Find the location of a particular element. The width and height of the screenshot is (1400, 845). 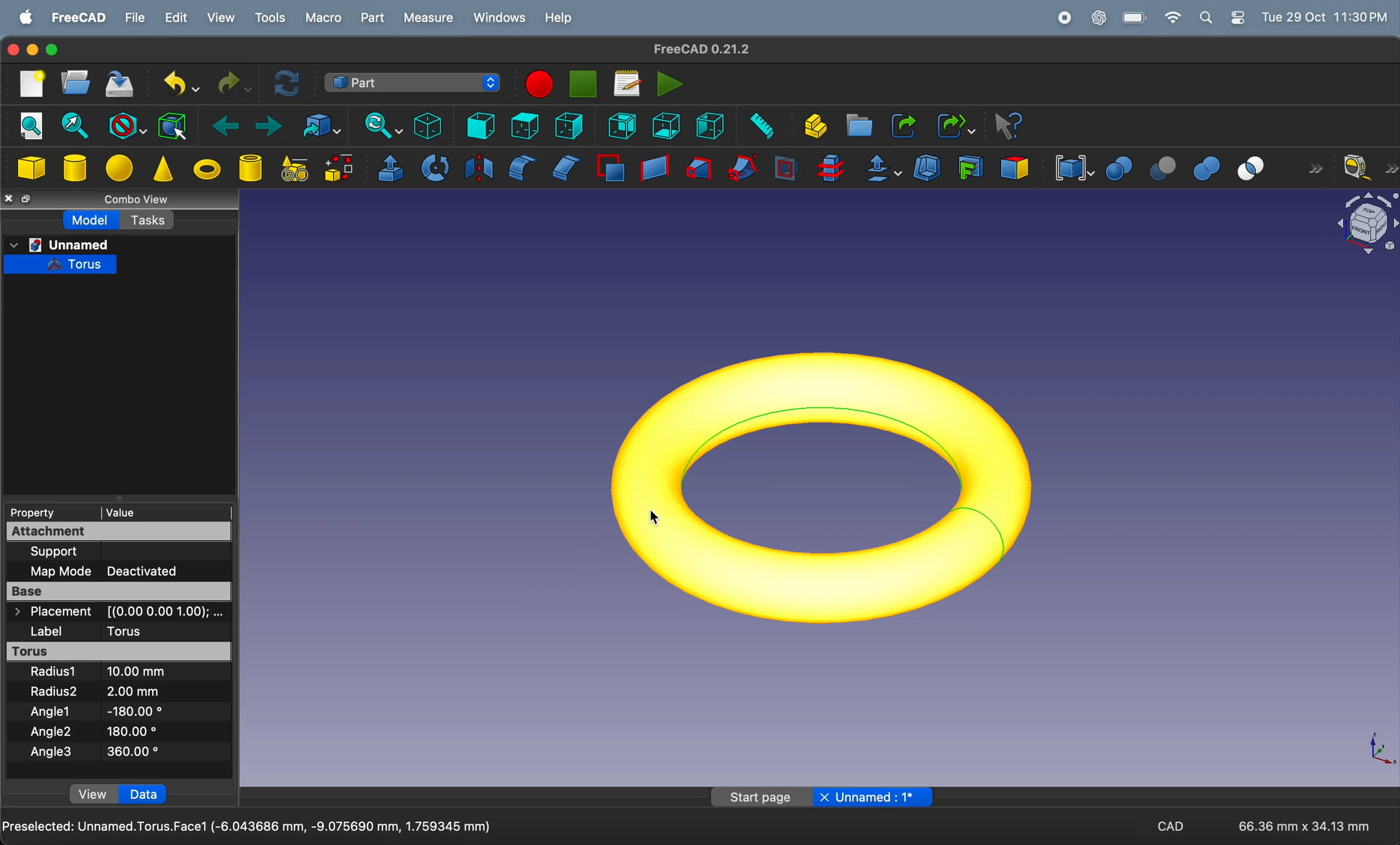

sweep is located at coordinates (742, 166).